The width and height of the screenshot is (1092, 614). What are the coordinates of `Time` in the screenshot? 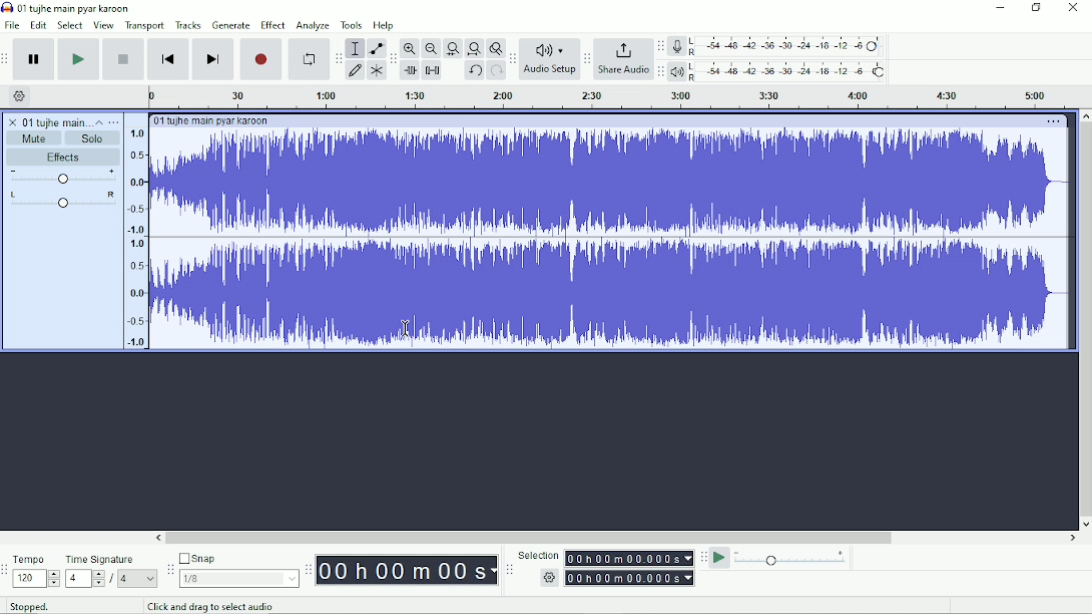 It's located at (408, 569).